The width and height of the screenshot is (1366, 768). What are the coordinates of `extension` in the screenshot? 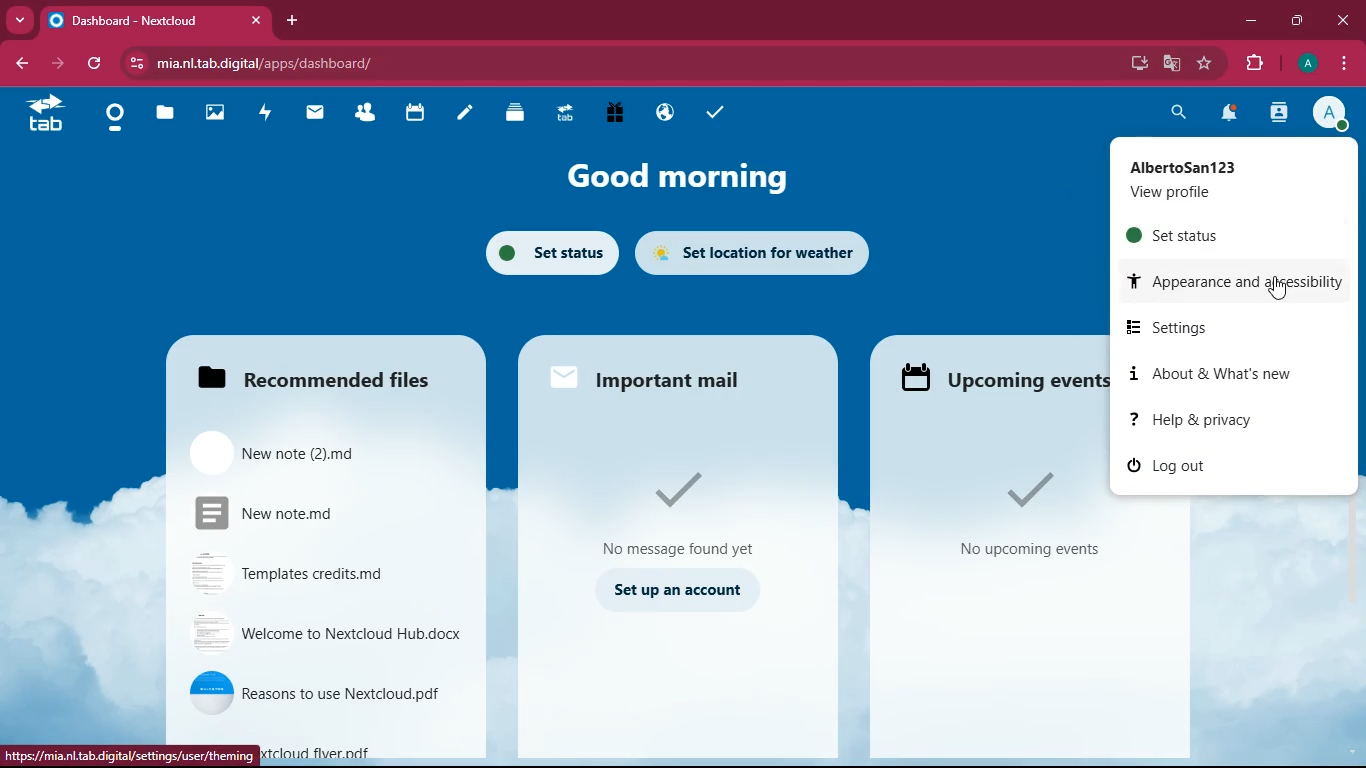 It's located at (1252, 64).